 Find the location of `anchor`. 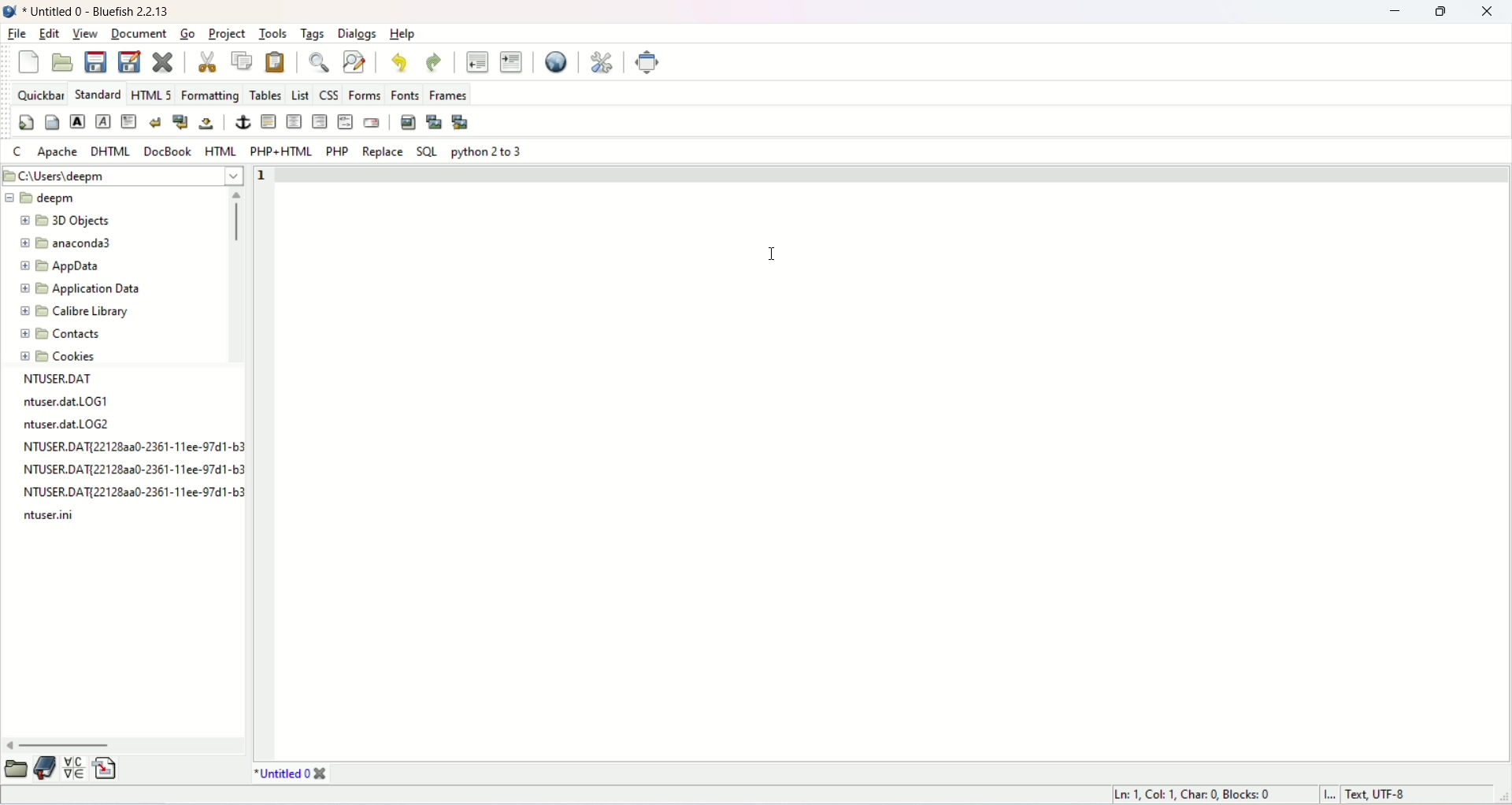

anchor is located at coordinates (239, 123).